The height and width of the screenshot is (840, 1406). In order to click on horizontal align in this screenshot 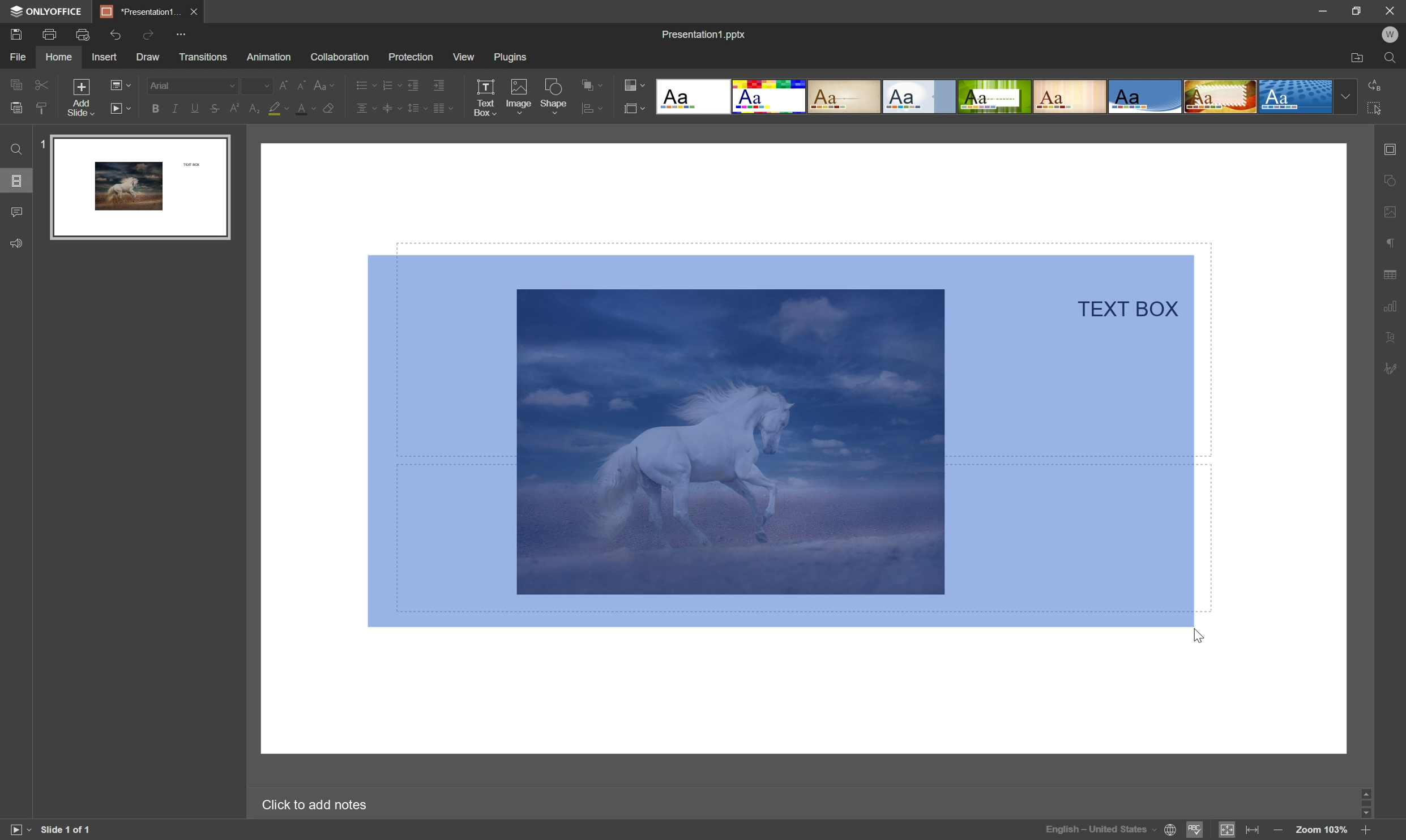, I will do `click(366, 106)`.